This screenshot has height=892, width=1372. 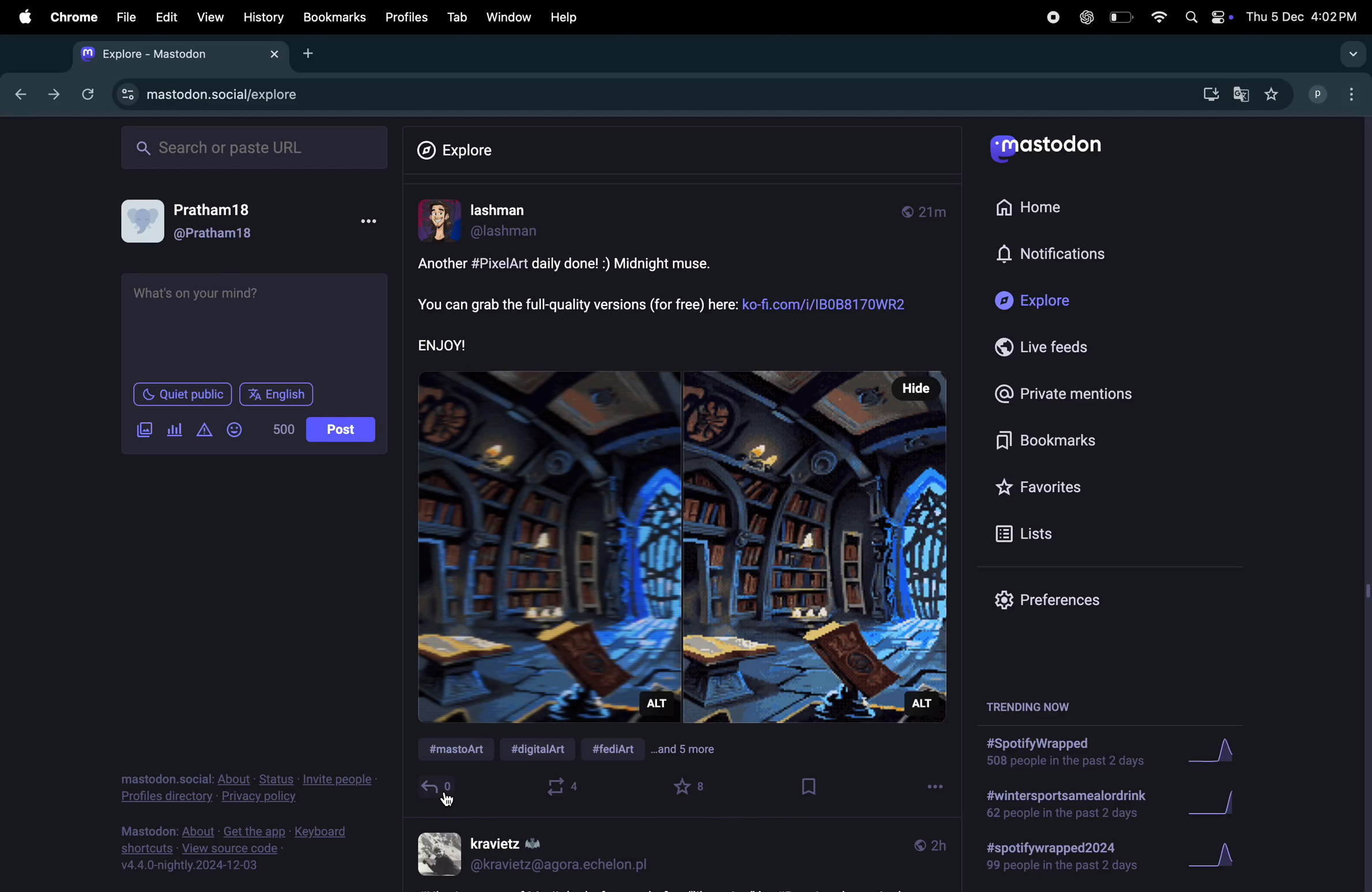 What do you see at coordinates (1064, 755) in the screenshot?
I see `spotify wrapped` at bounding box center [1064, 755].